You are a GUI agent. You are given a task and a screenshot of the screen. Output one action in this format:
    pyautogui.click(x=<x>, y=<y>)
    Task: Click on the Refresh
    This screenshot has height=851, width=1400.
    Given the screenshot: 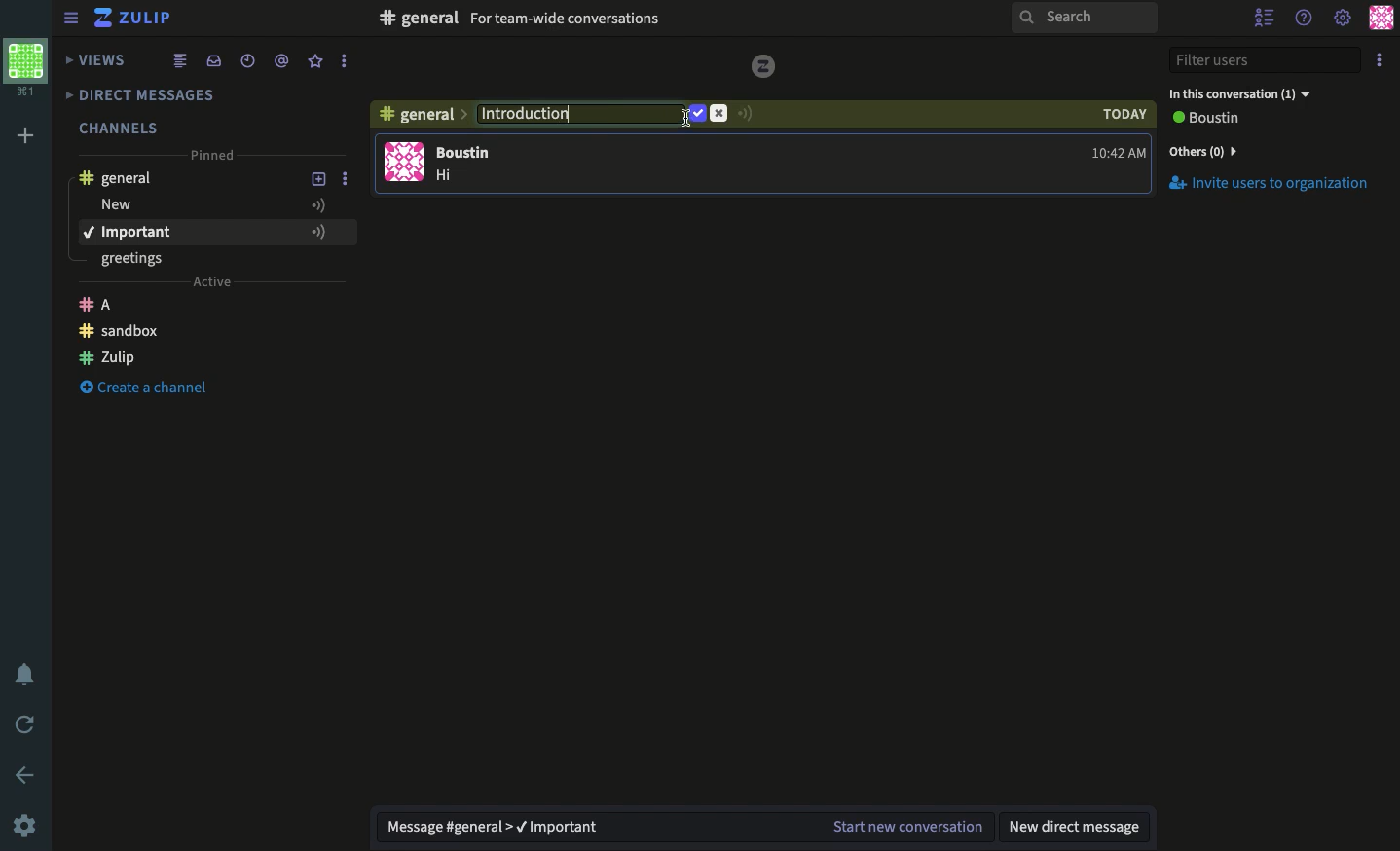 What is the action you would take?
    pyautogui.click(x=27, y=724)
    